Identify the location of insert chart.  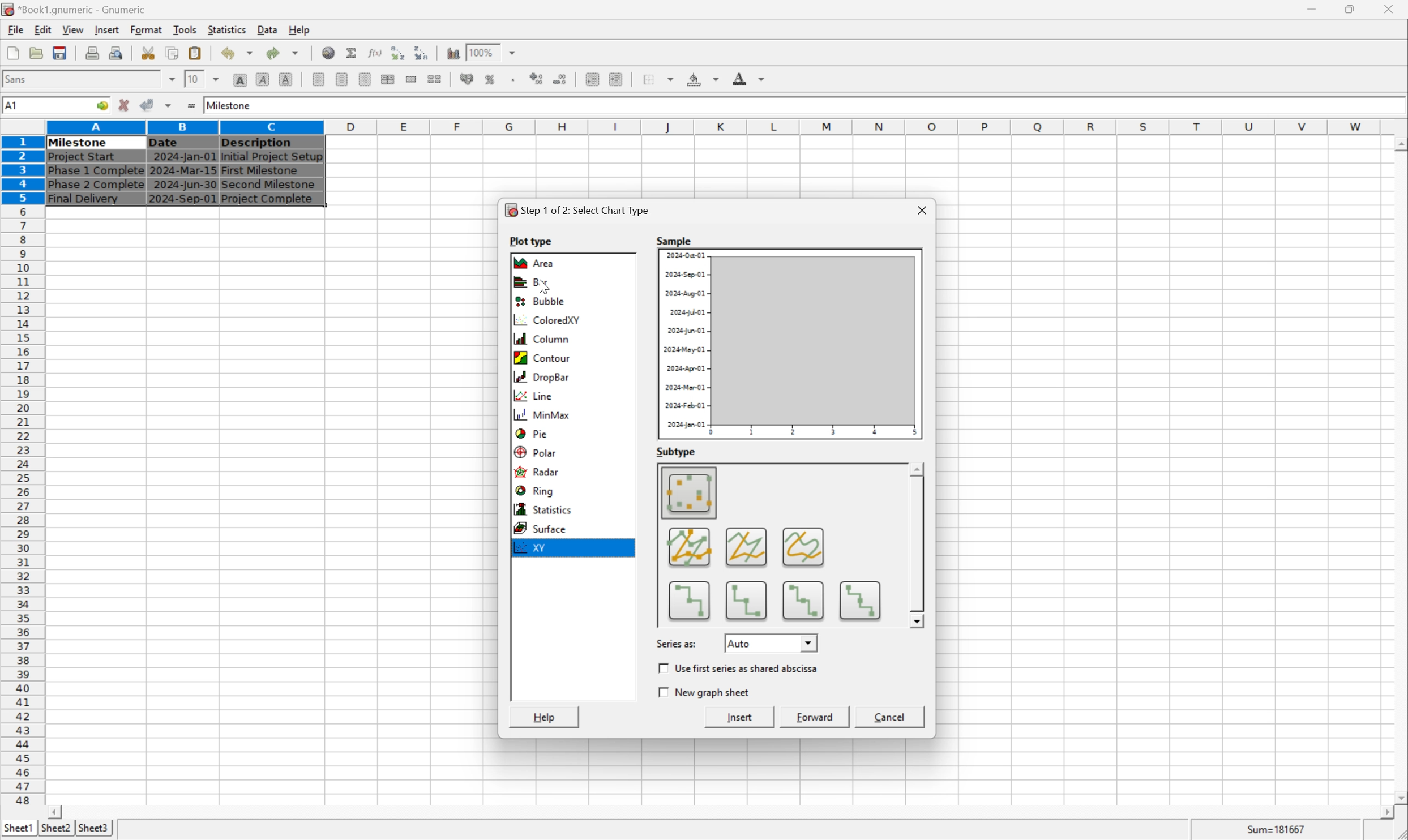
(452, 52).